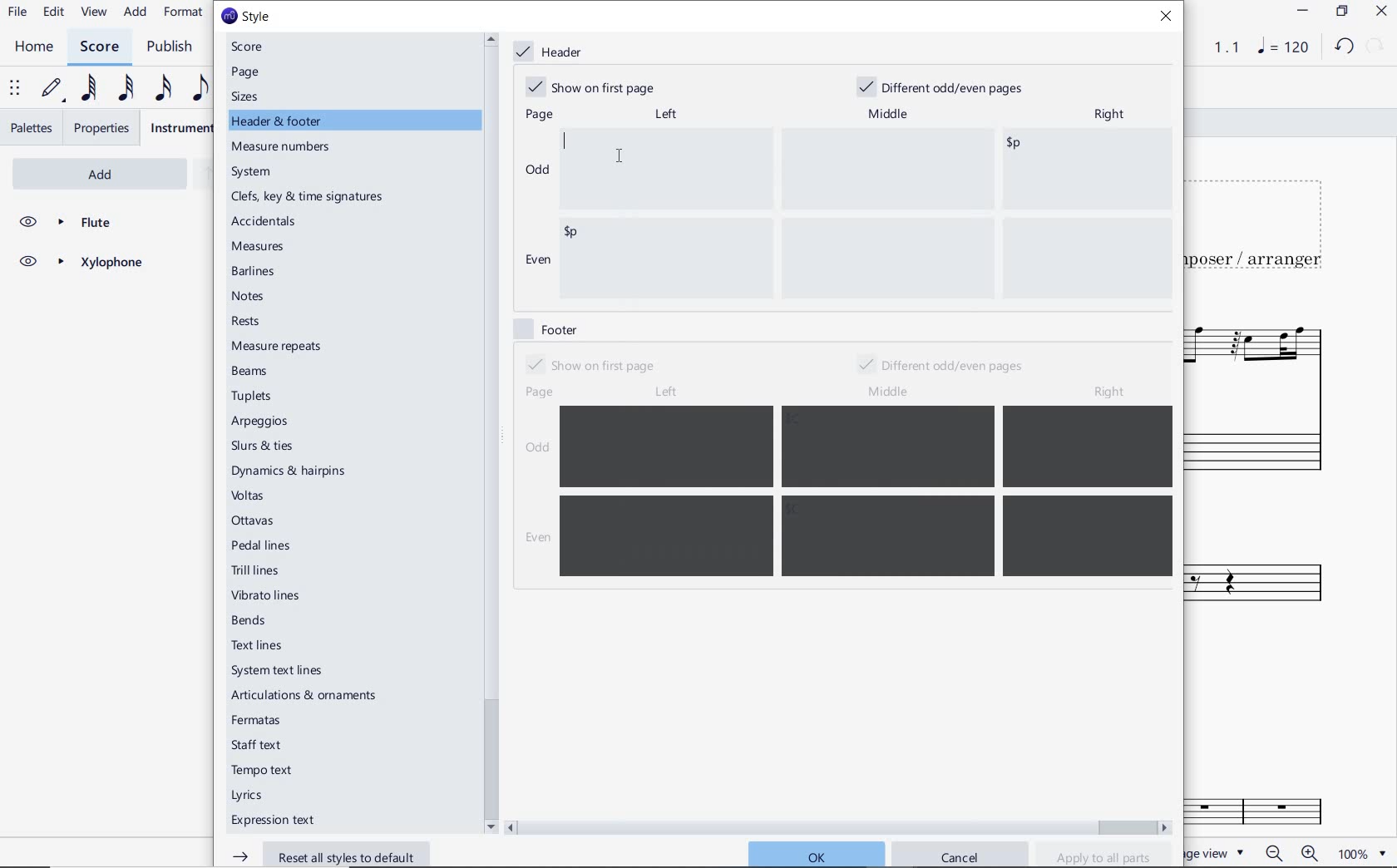 Image resolution: width=1397 pixels, height=868 pixels. What do you see at coordinates (80, 223) in the screenshot?
I see `FLUTE` at bounding box center [80, 223].